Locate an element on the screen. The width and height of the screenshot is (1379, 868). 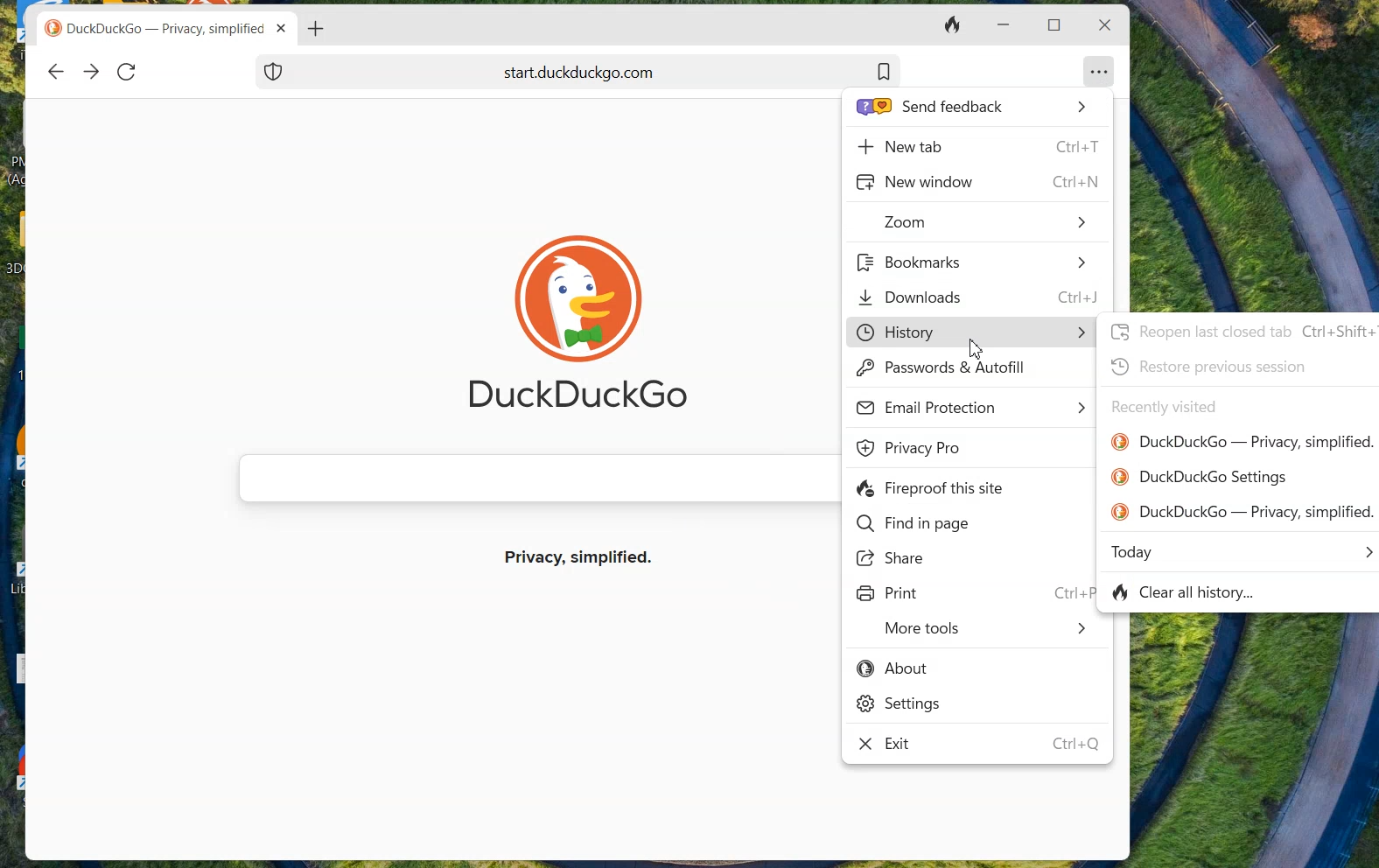
Exit is located at coordinates (891, 746).